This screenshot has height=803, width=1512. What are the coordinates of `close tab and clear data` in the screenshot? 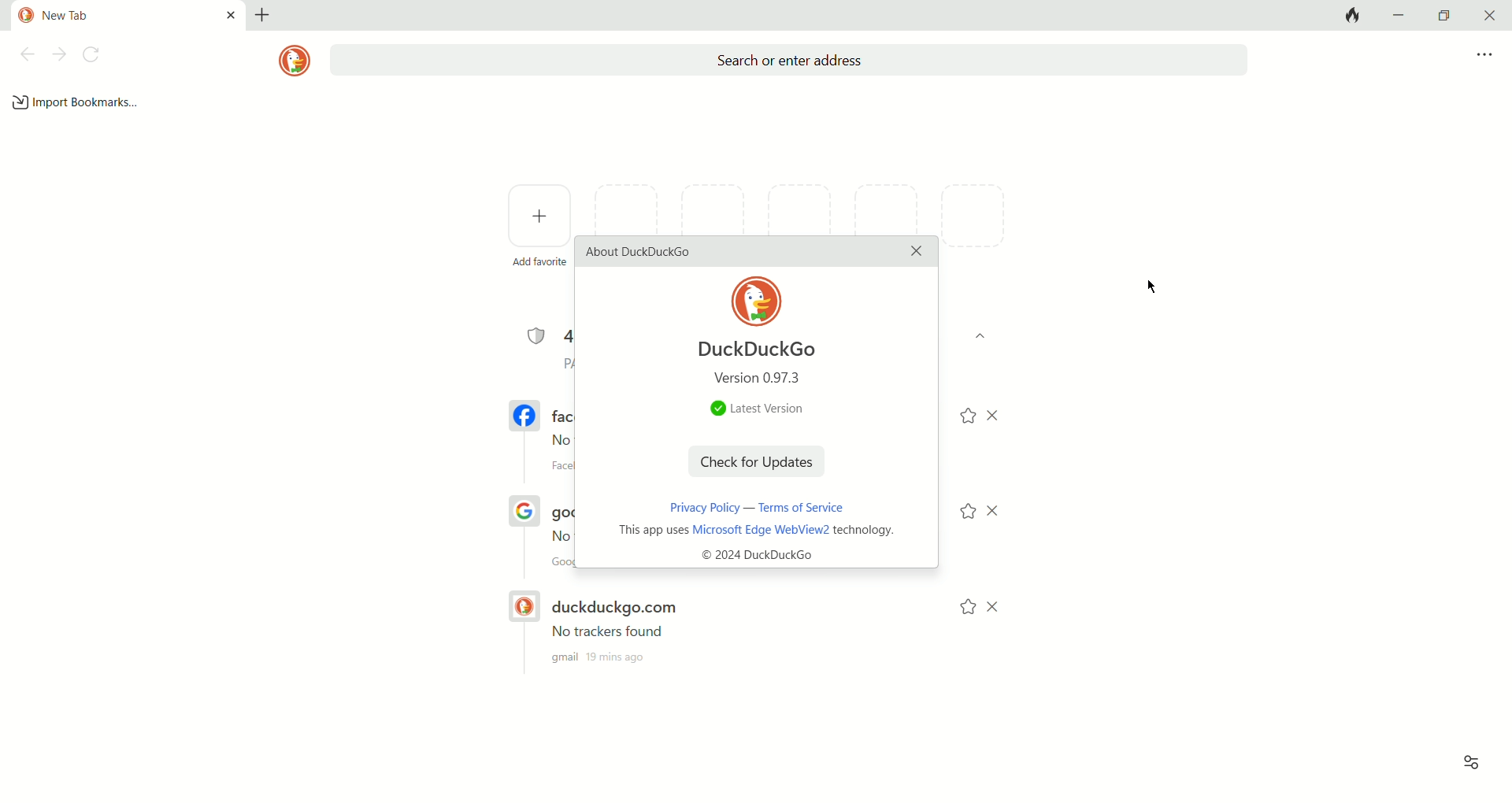 It's located at (1353, 16).